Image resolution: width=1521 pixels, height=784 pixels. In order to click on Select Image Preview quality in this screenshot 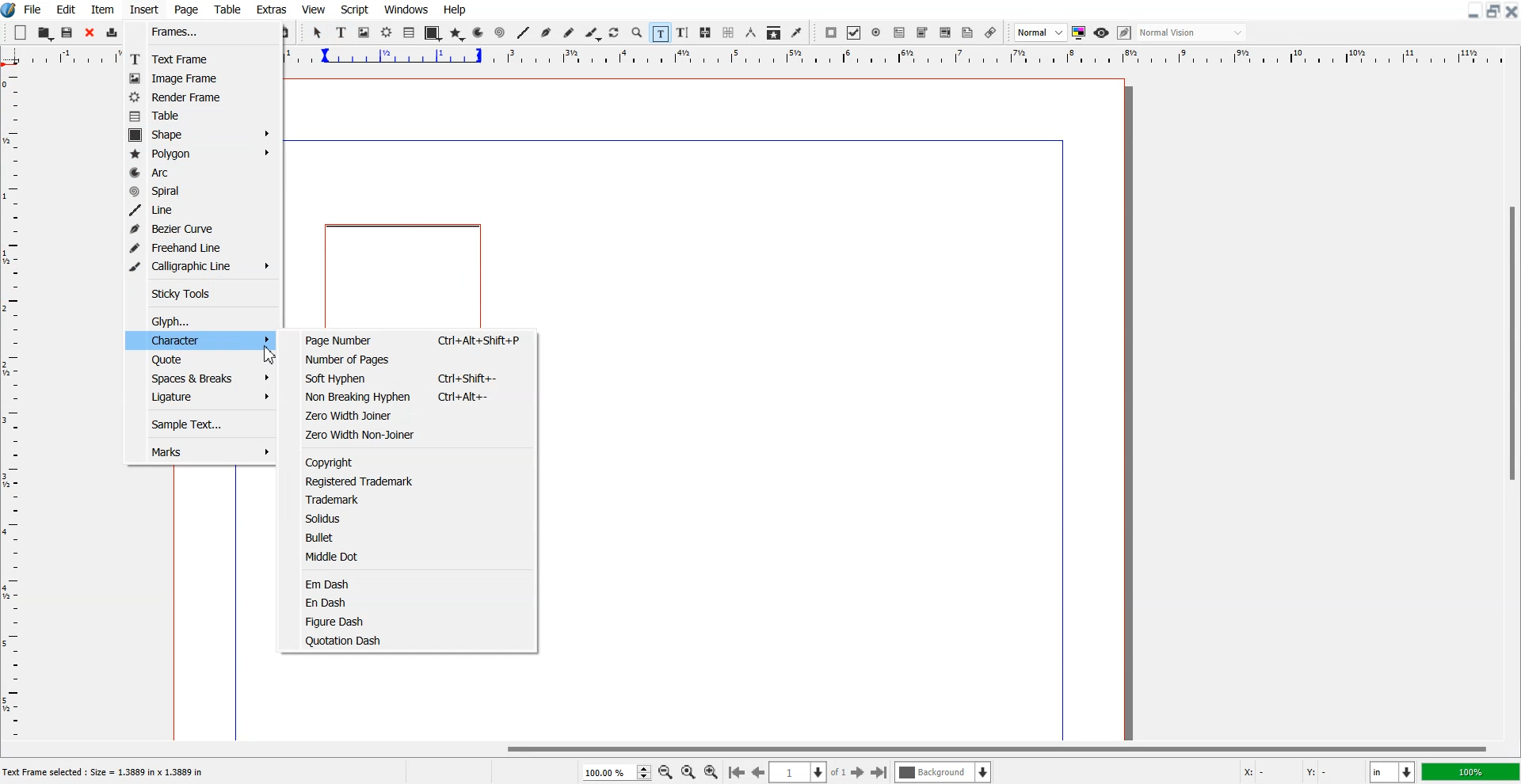, I will do `click(1041, 32)`.